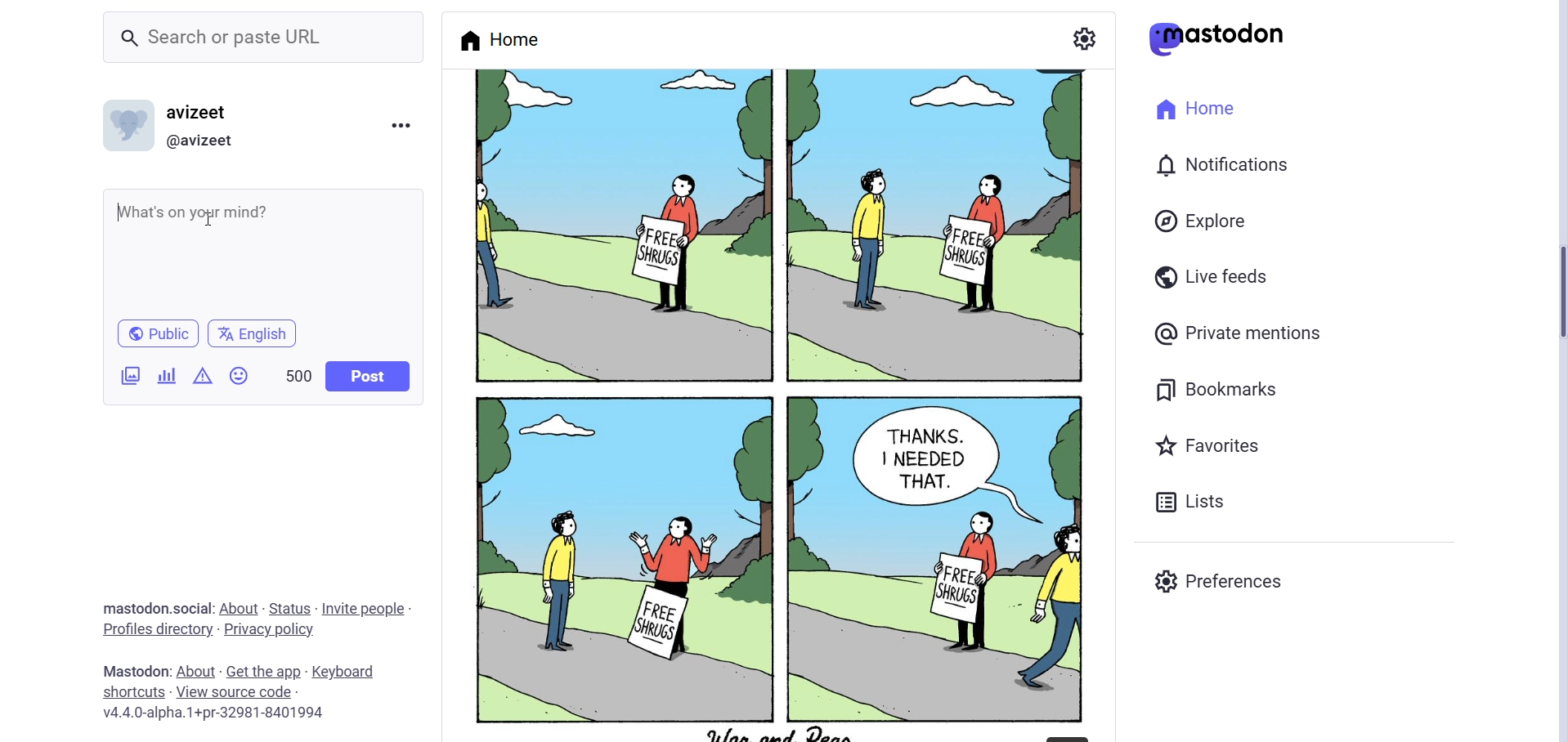  I want to click on Preferences, so click(1224, 579).